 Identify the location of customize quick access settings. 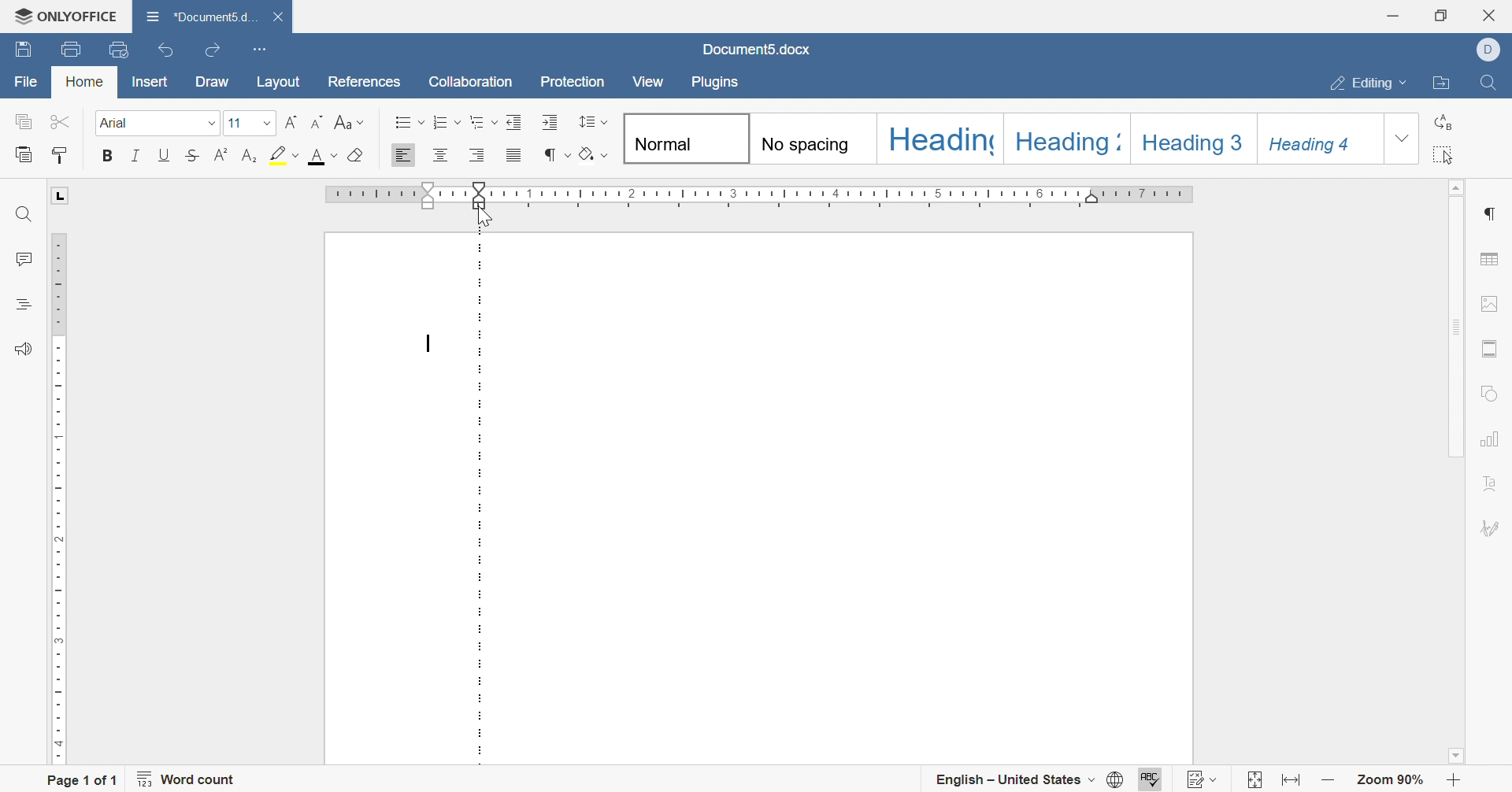
(261, 47).